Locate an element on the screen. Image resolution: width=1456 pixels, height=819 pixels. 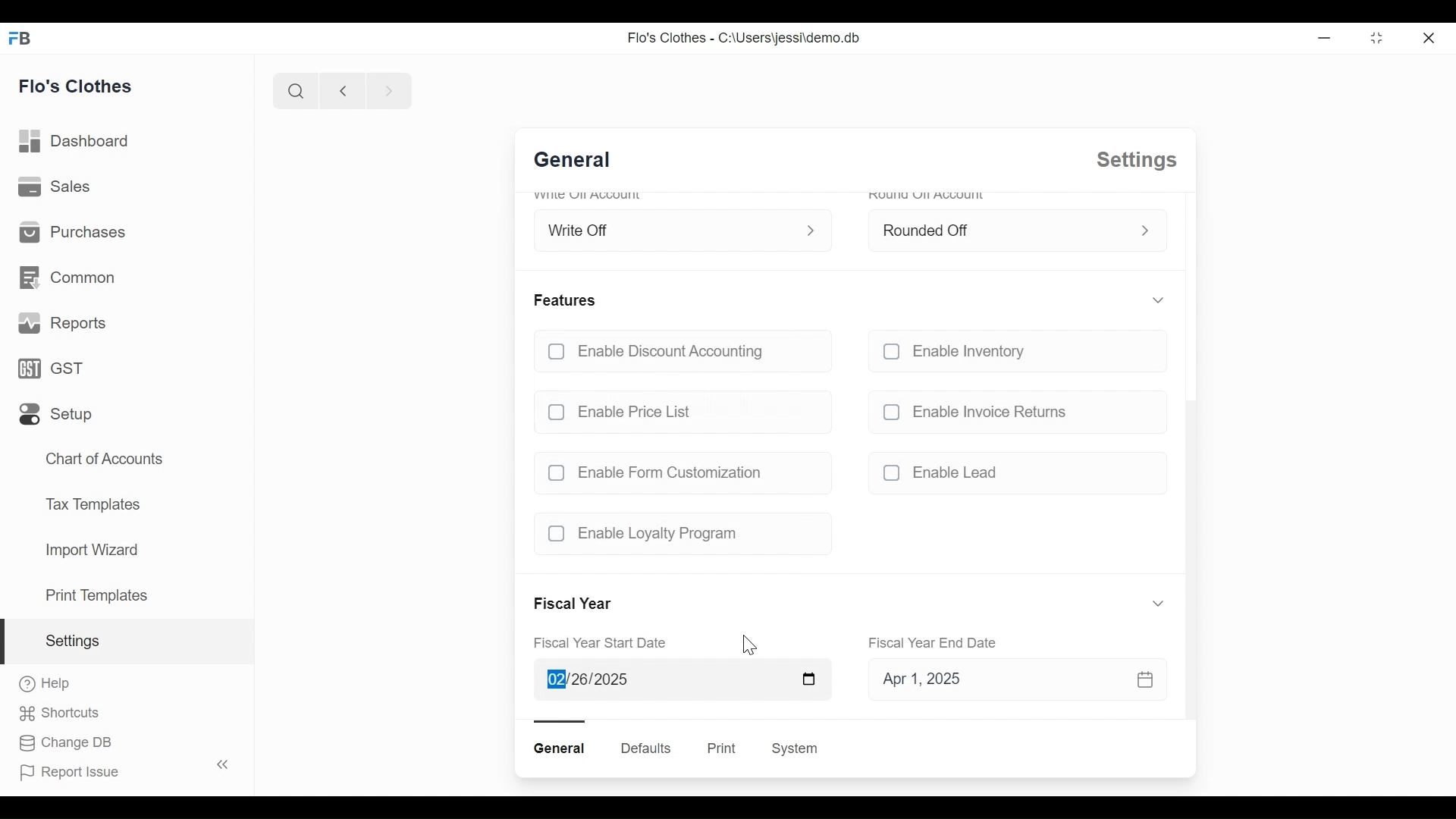
Write Off is located at coordinates (667, 227).